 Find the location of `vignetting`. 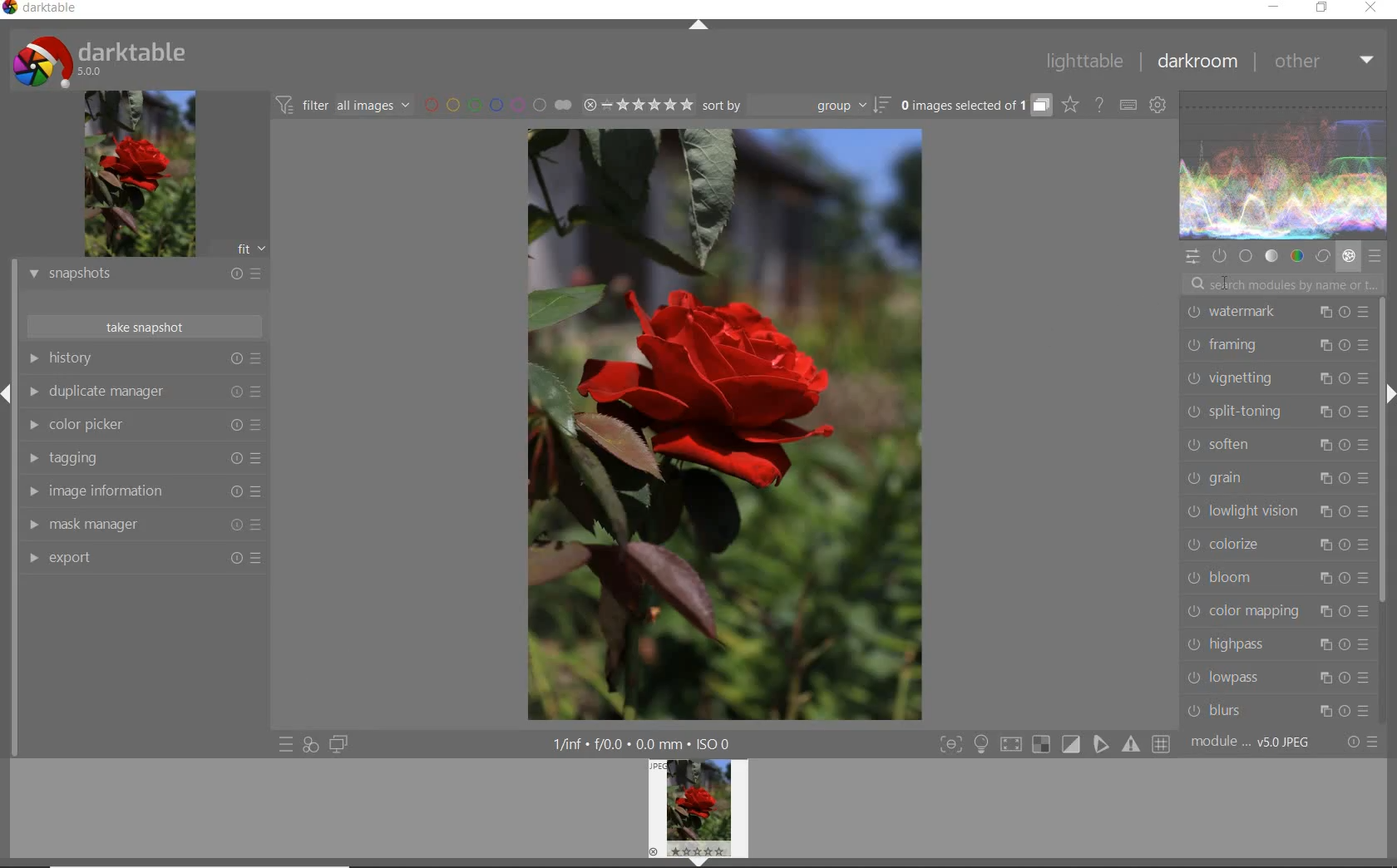

vignetting is located at coordinates (1273, 379).